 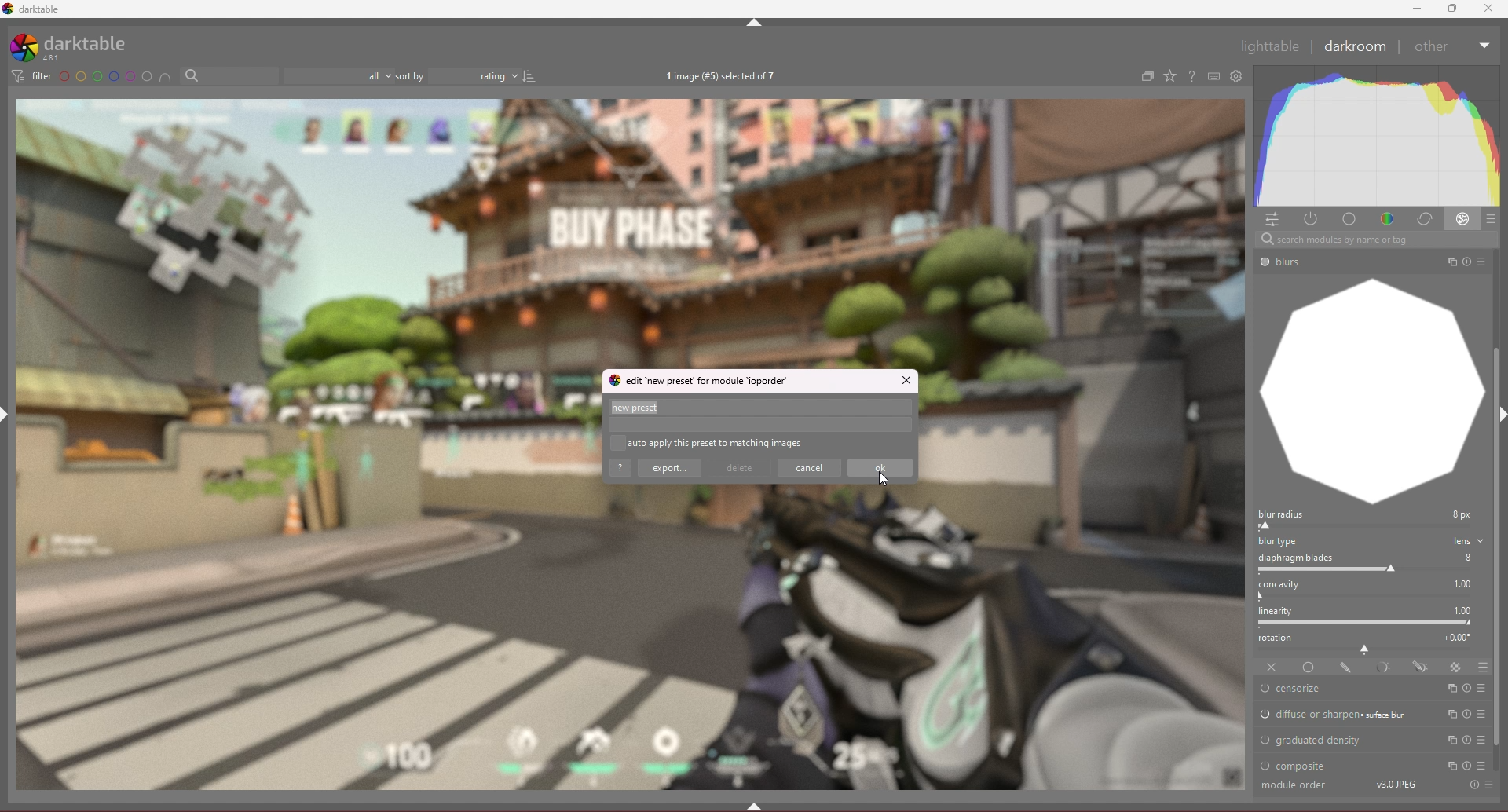 I want to click on presets, so click(x=1481, y=740).